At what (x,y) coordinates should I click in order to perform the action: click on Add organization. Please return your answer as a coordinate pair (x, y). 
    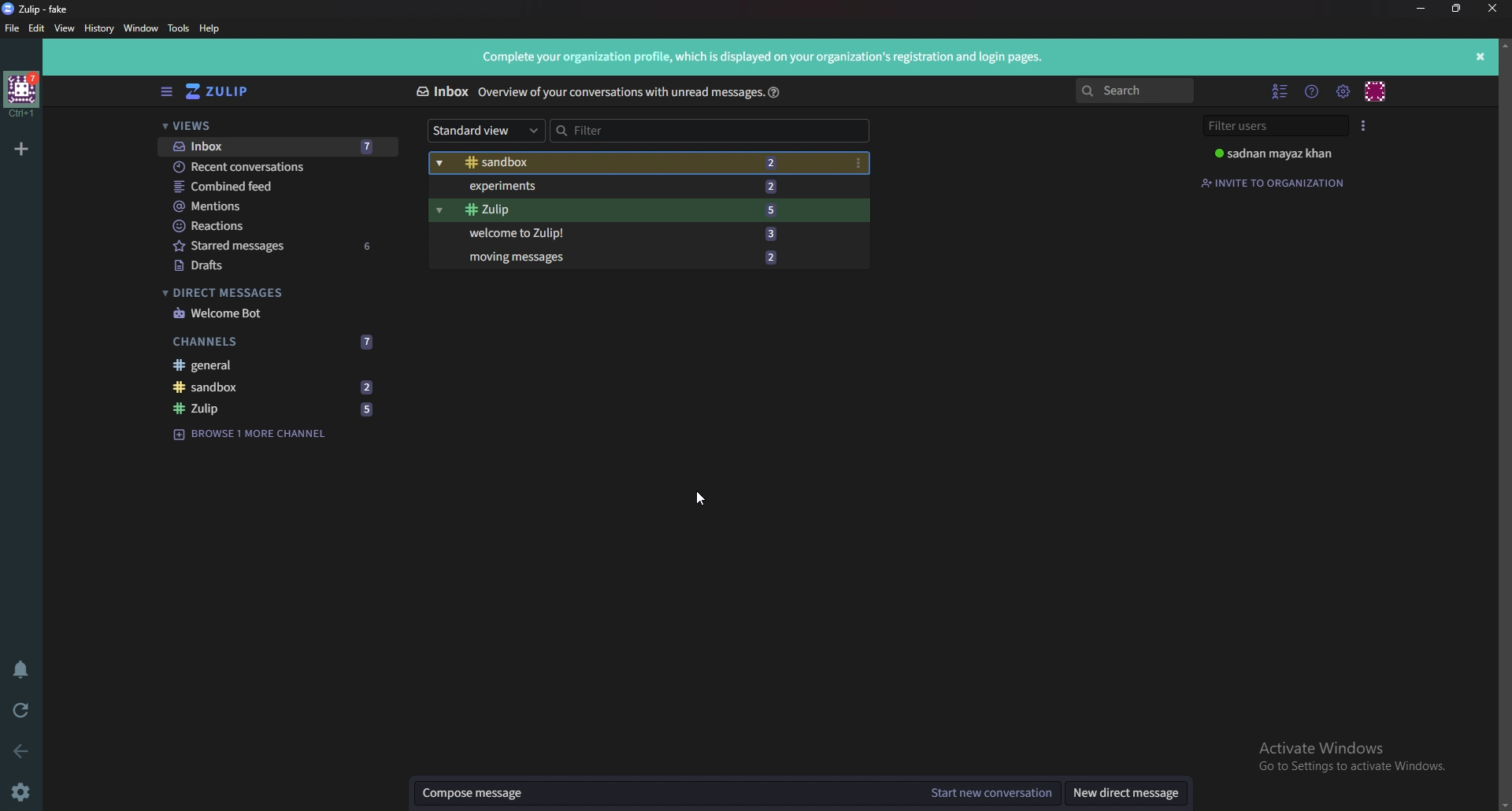
    Looking at the image, I should click on (20, 149).